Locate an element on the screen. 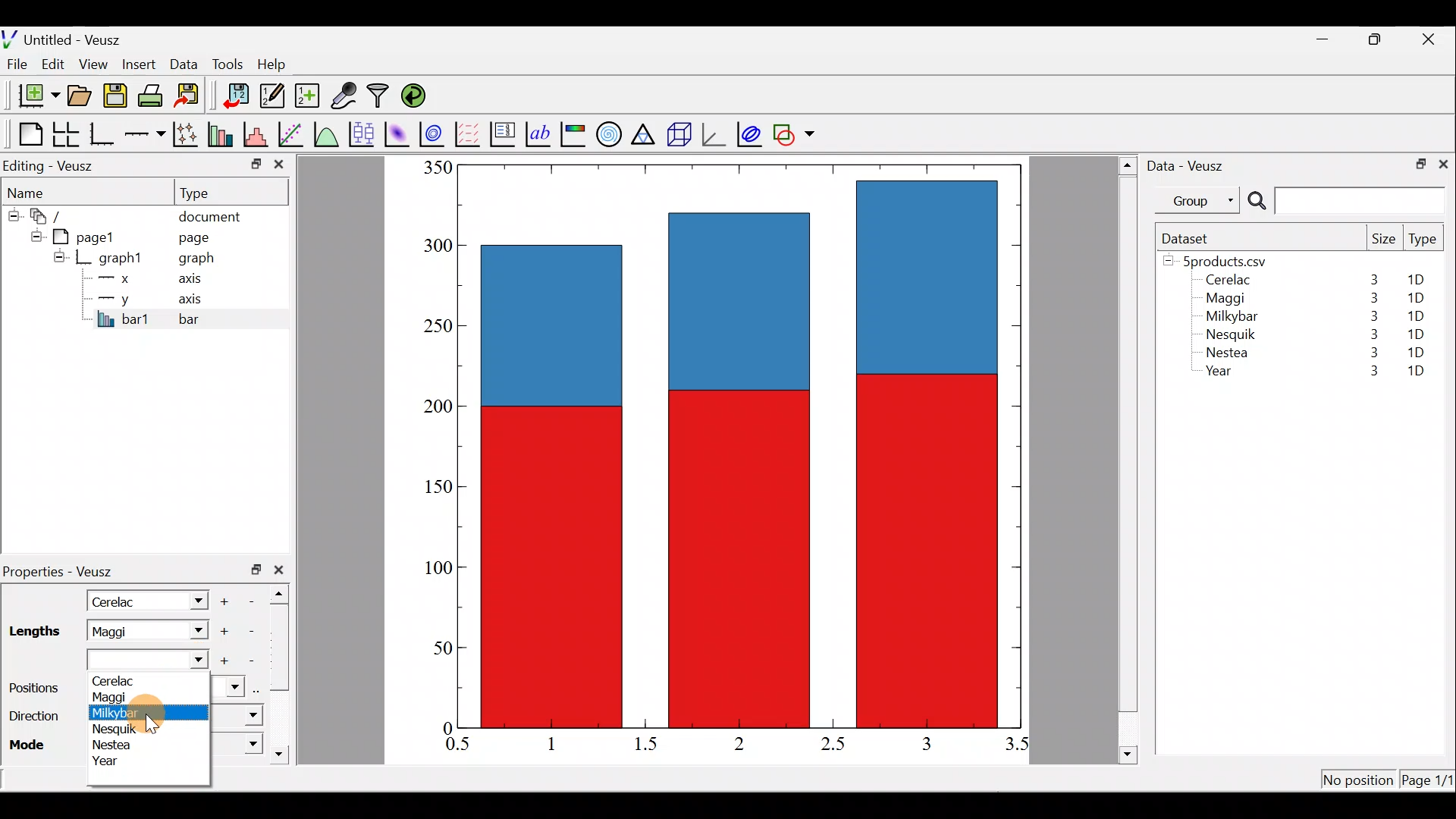  x is located at coordinates (118, 278).